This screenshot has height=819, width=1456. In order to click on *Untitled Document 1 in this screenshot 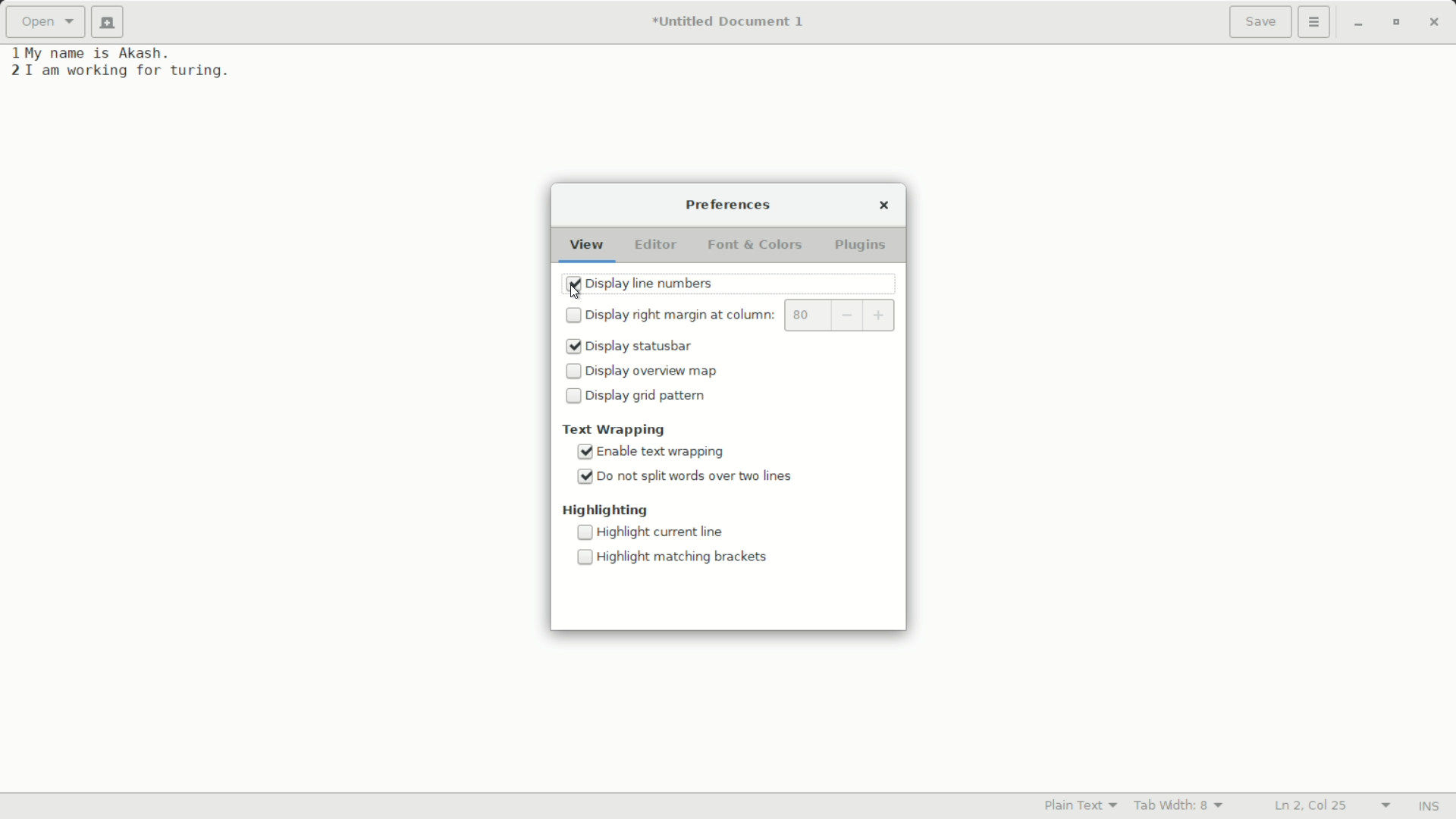, I will do `click(733, 23)`.